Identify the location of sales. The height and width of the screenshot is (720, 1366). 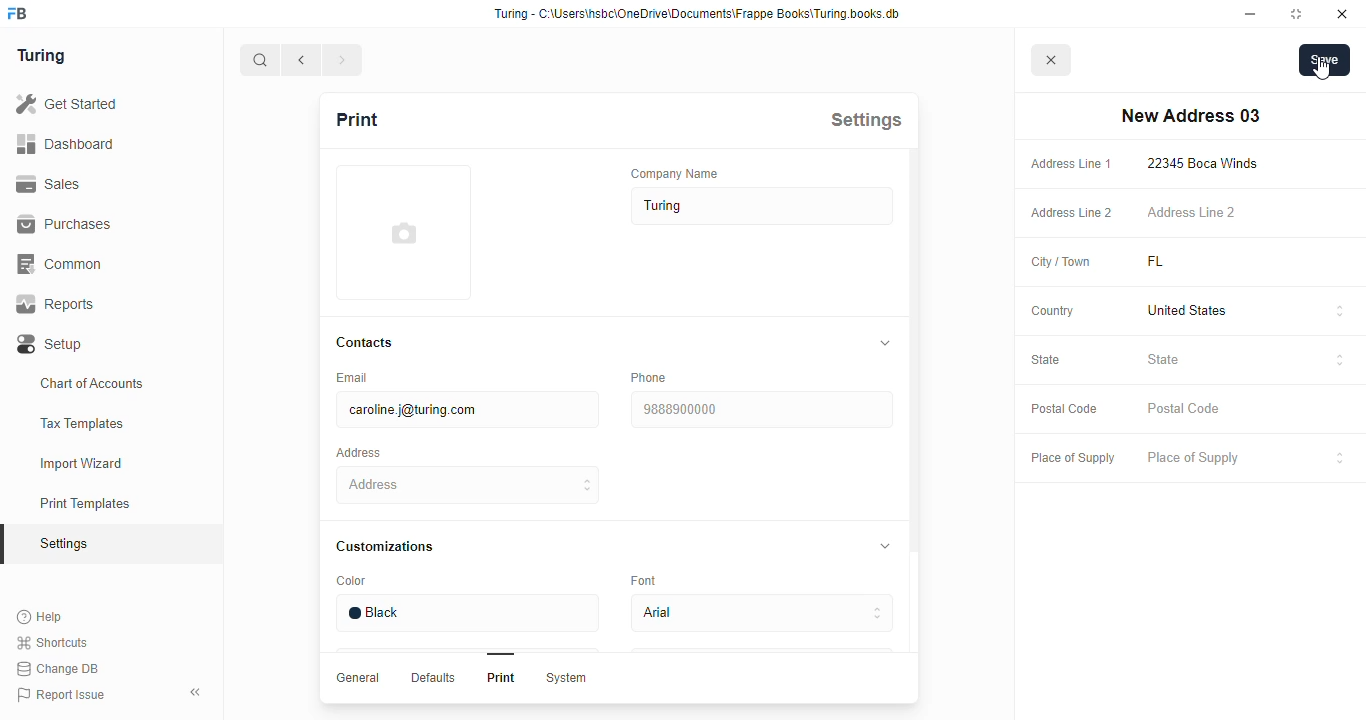
(52, 184).